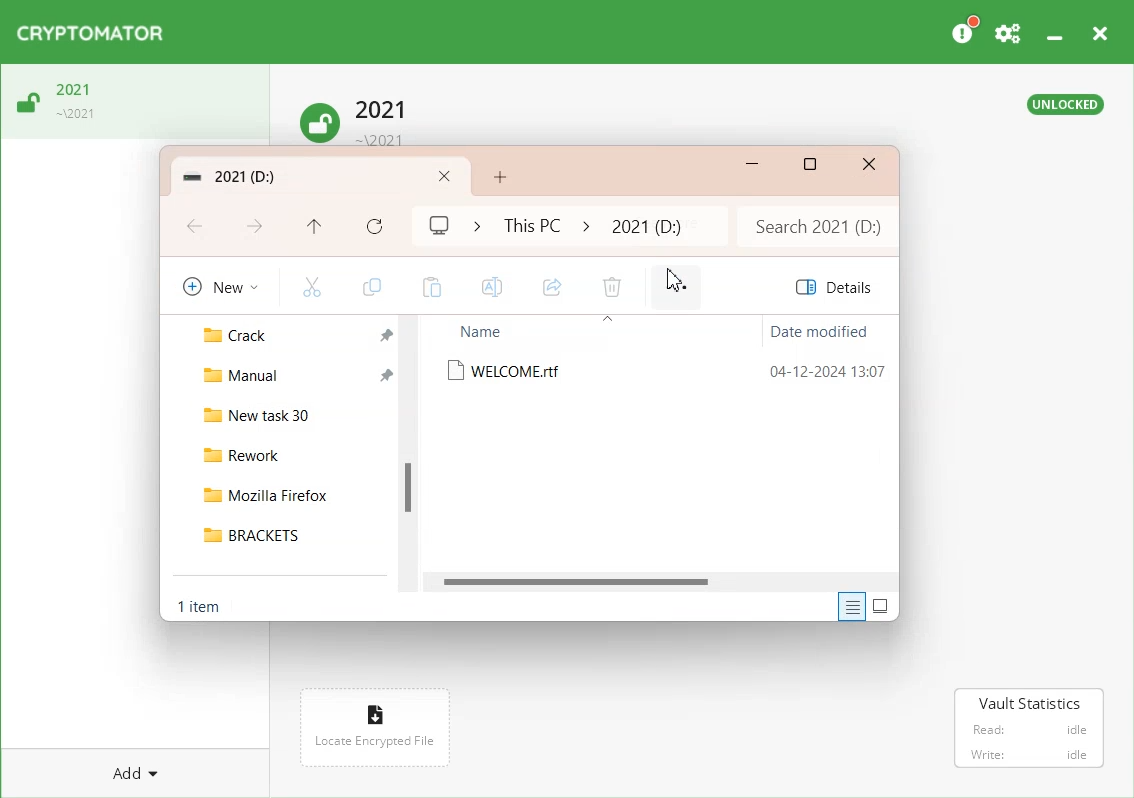  What do you see at coordinates (440, 178) in the screenshot?
I see `Close Folder` at bounding box center [440, 178].